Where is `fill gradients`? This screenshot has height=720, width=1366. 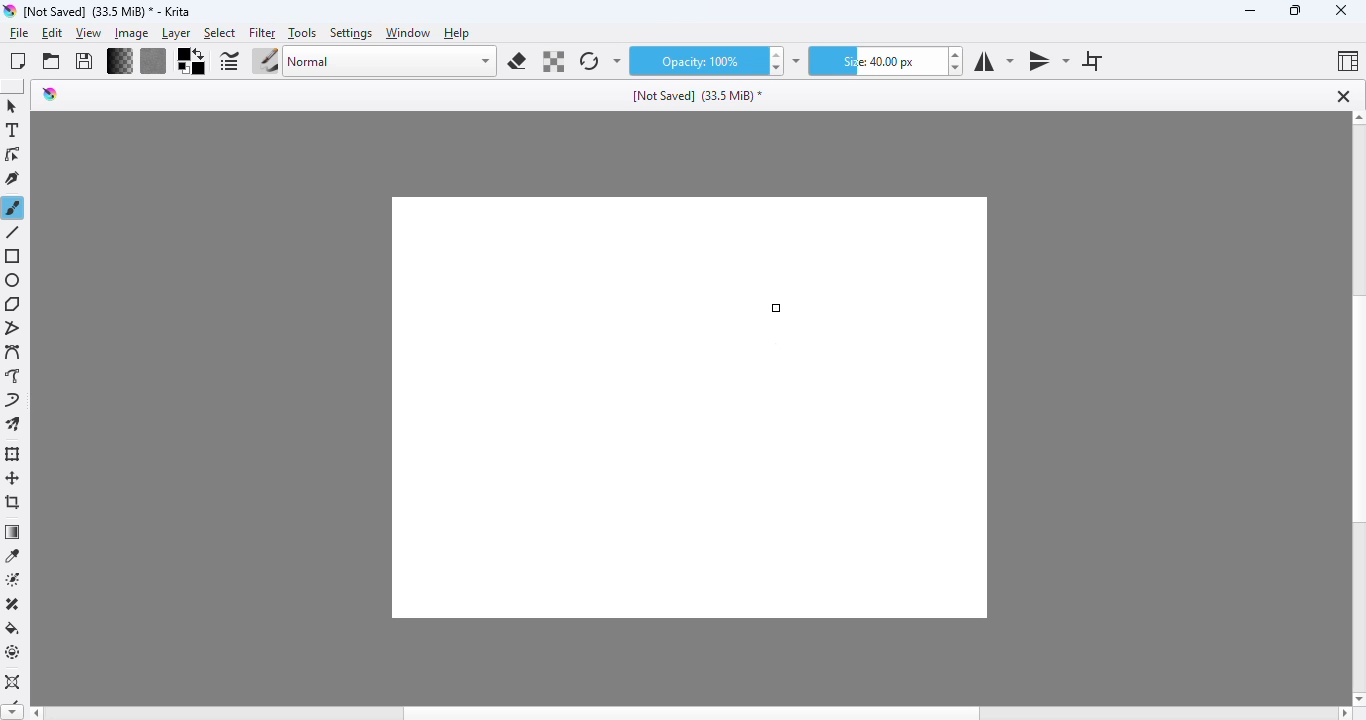 fill gradients is located at coordinates (120, 61).